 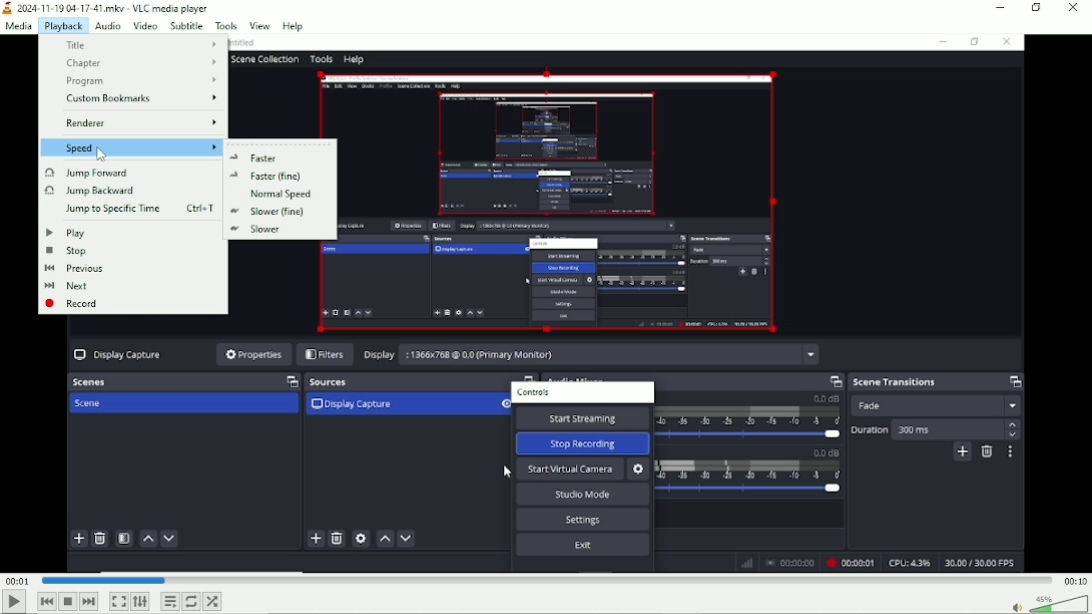 I want to click on normal speed, so click(x=277, y=193).